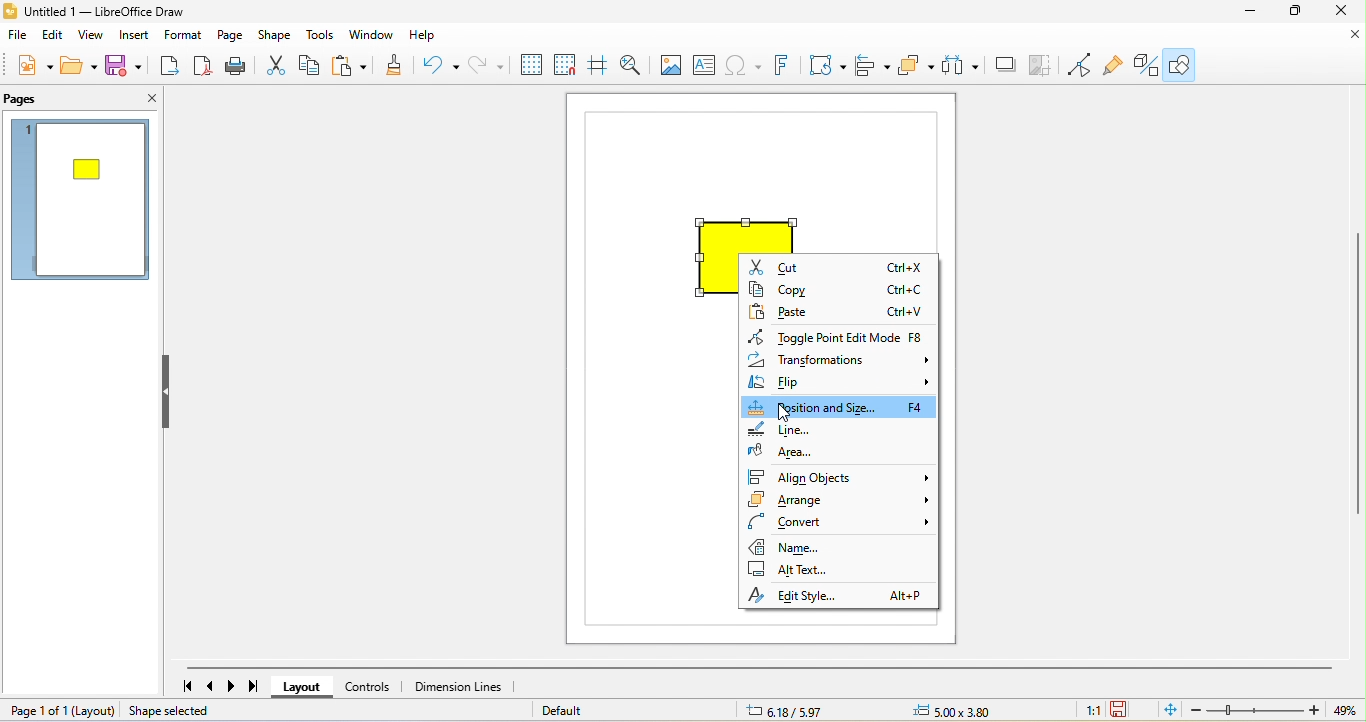 Image resolution: width=1366 pixels, height=722 pixels. What do you see at coordinates (61, 711) in the screenshot?
I see `page 1 of 1` at bounding box center [61, 711].